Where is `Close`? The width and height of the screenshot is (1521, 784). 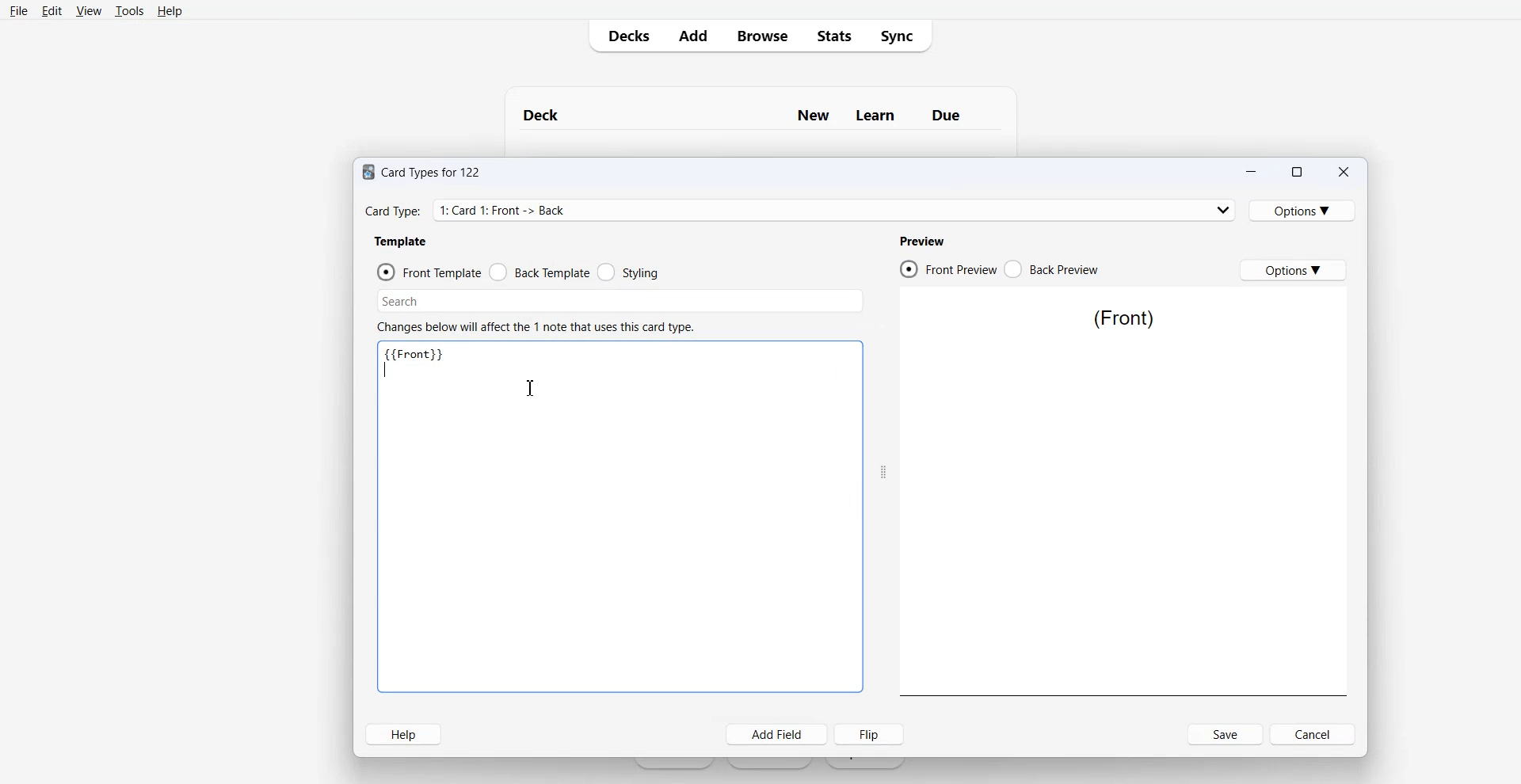
Close is located at coordinates (1344, 171).